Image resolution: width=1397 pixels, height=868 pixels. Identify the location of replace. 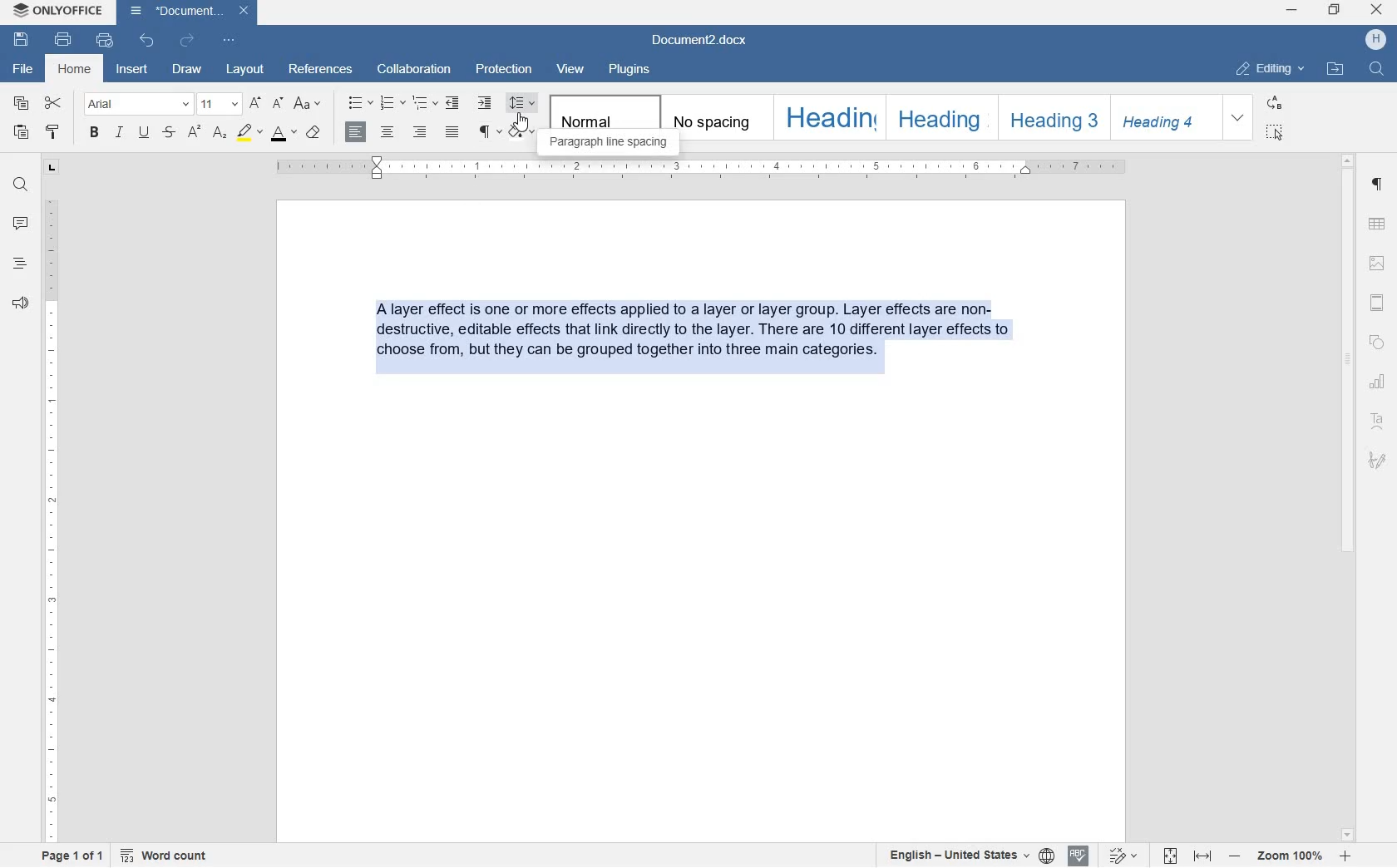
(1276, 104).